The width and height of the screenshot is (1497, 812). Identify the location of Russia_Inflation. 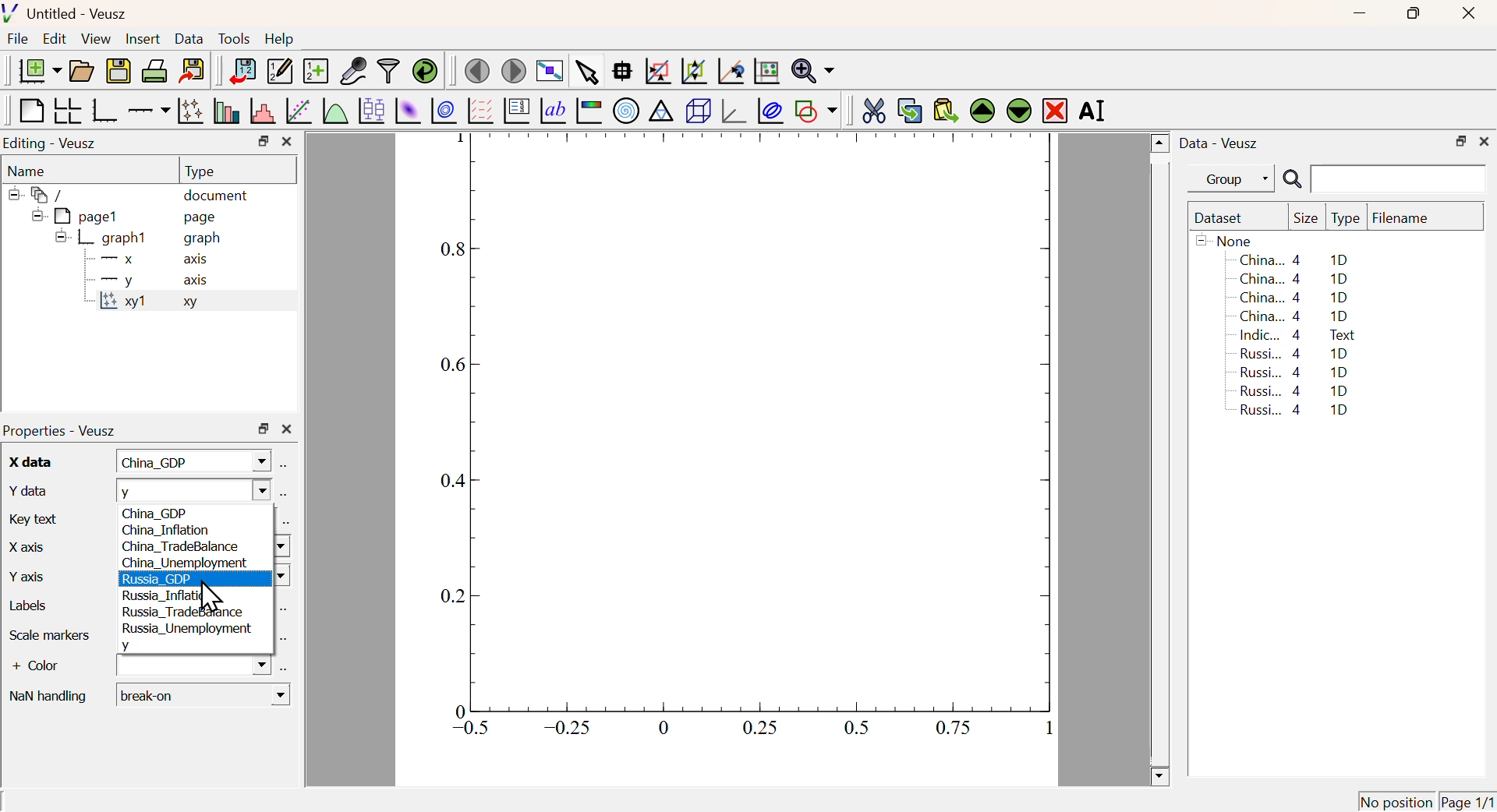
(169, 595).